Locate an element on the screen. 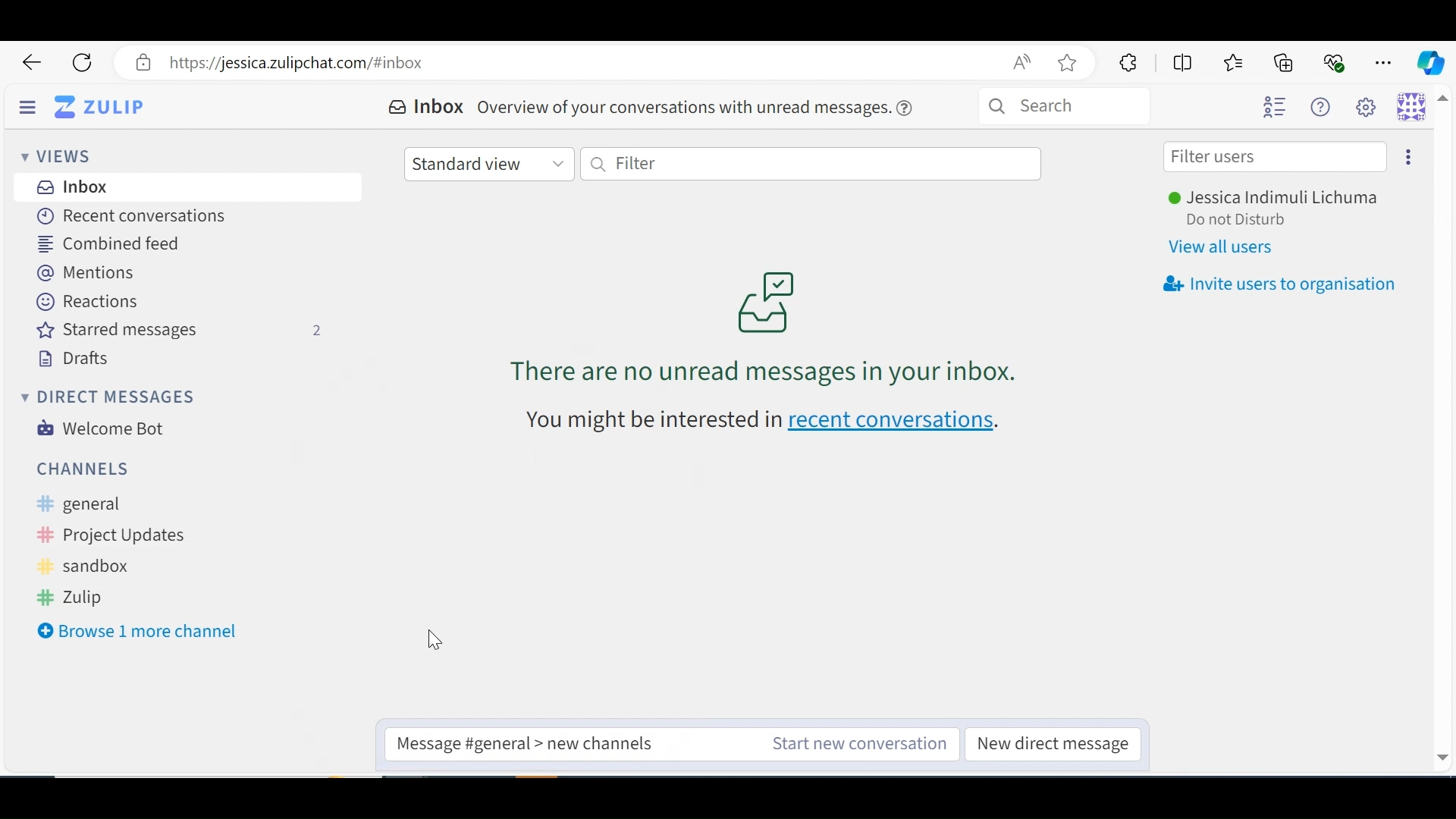  Reactions is located at coordinates (89, 301).